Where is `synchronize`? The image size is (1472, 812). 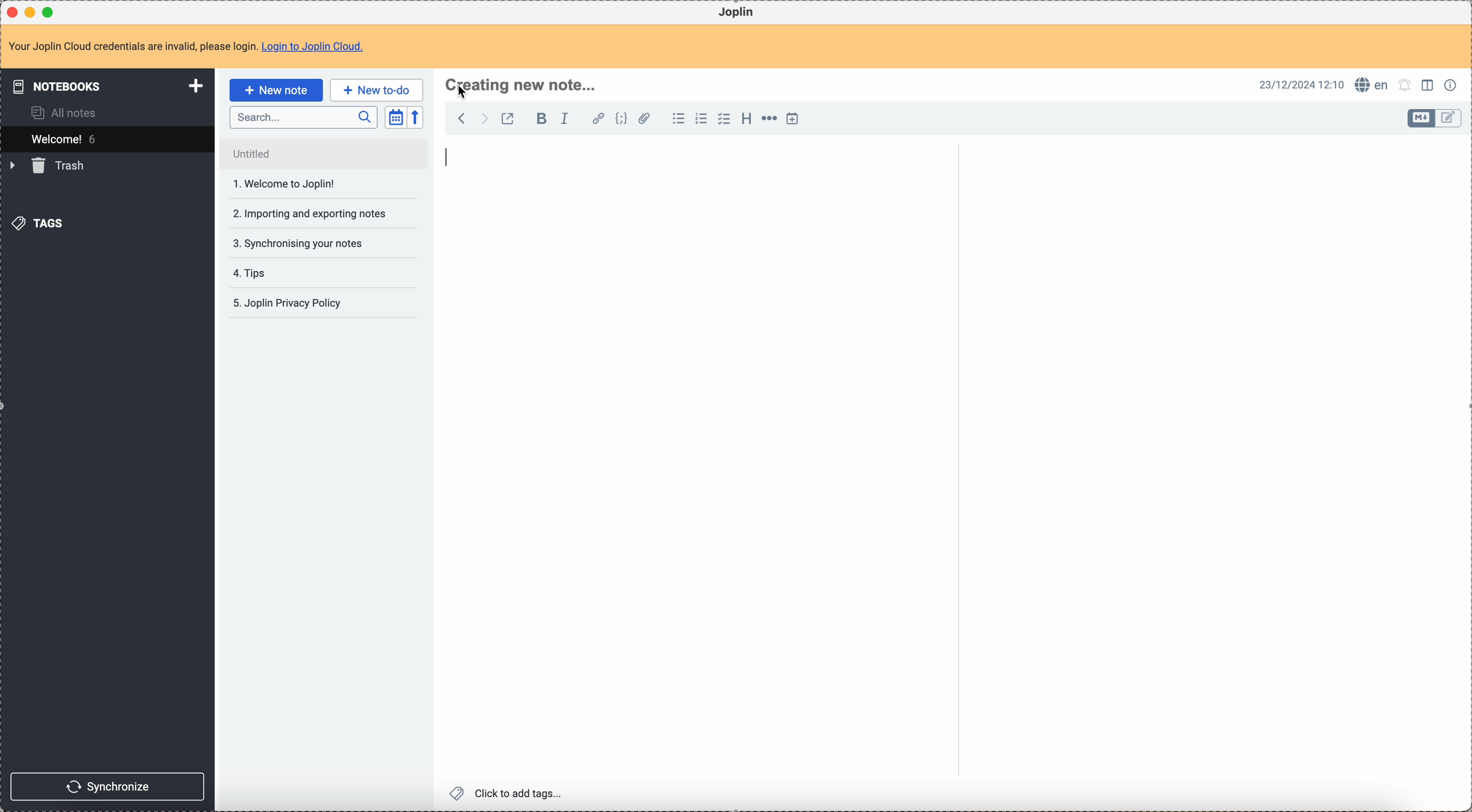 synchronize is located at coordinates (107, 785).